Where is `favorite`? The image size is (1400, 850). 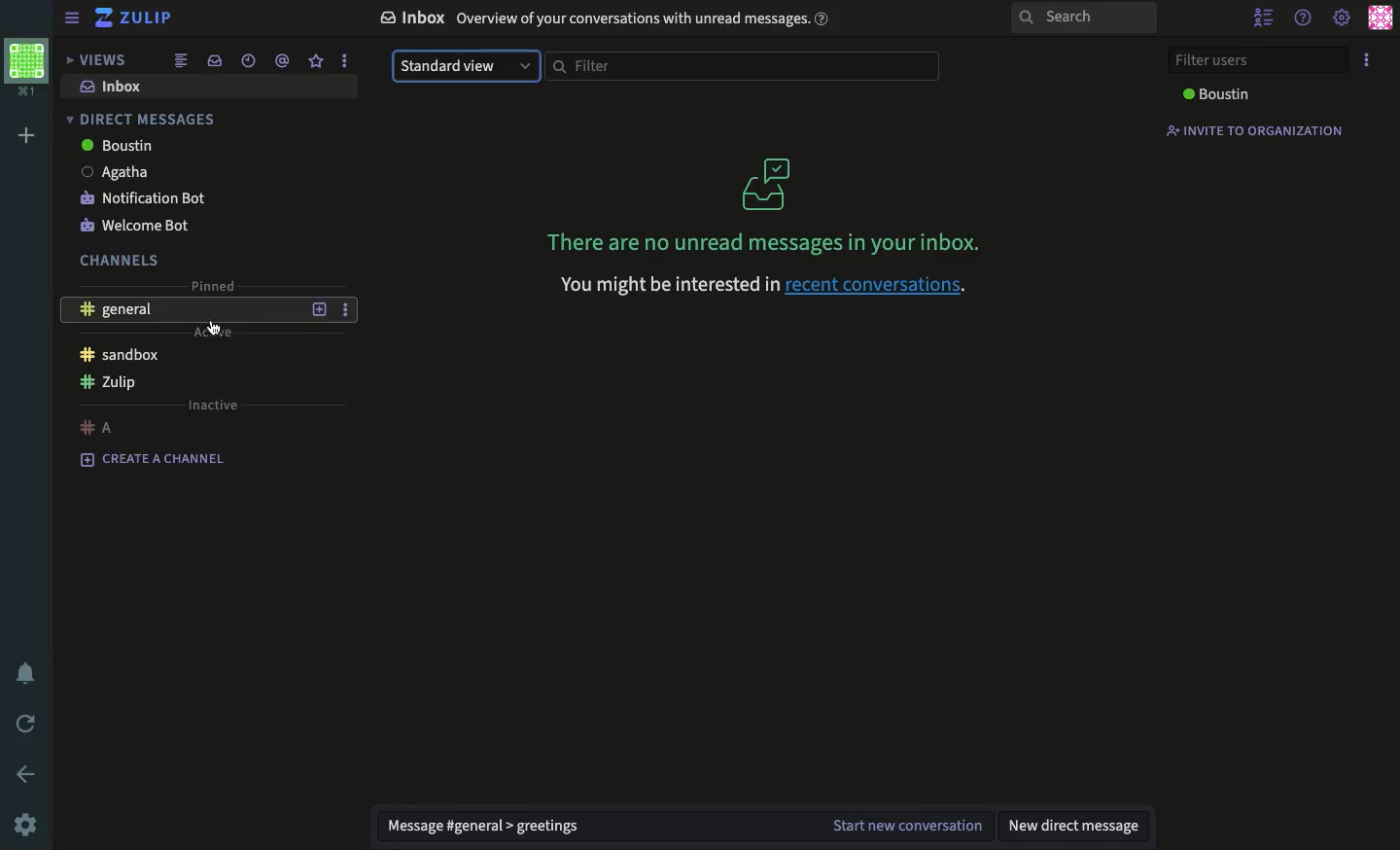 favorite is located at coordinates (317, 61).